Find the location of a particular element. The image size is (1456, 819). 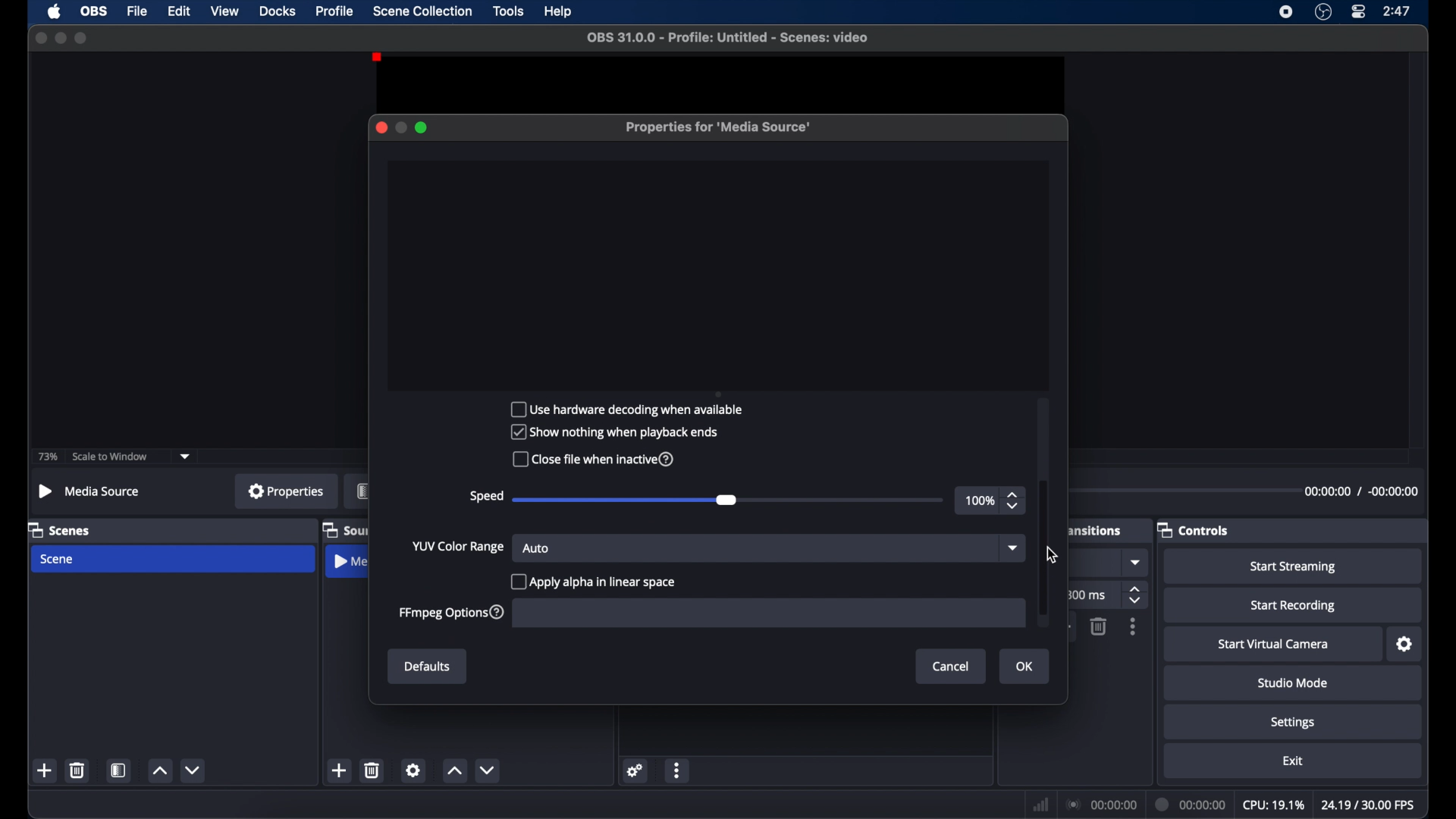

scale to window is located at coordinates (110, 457).